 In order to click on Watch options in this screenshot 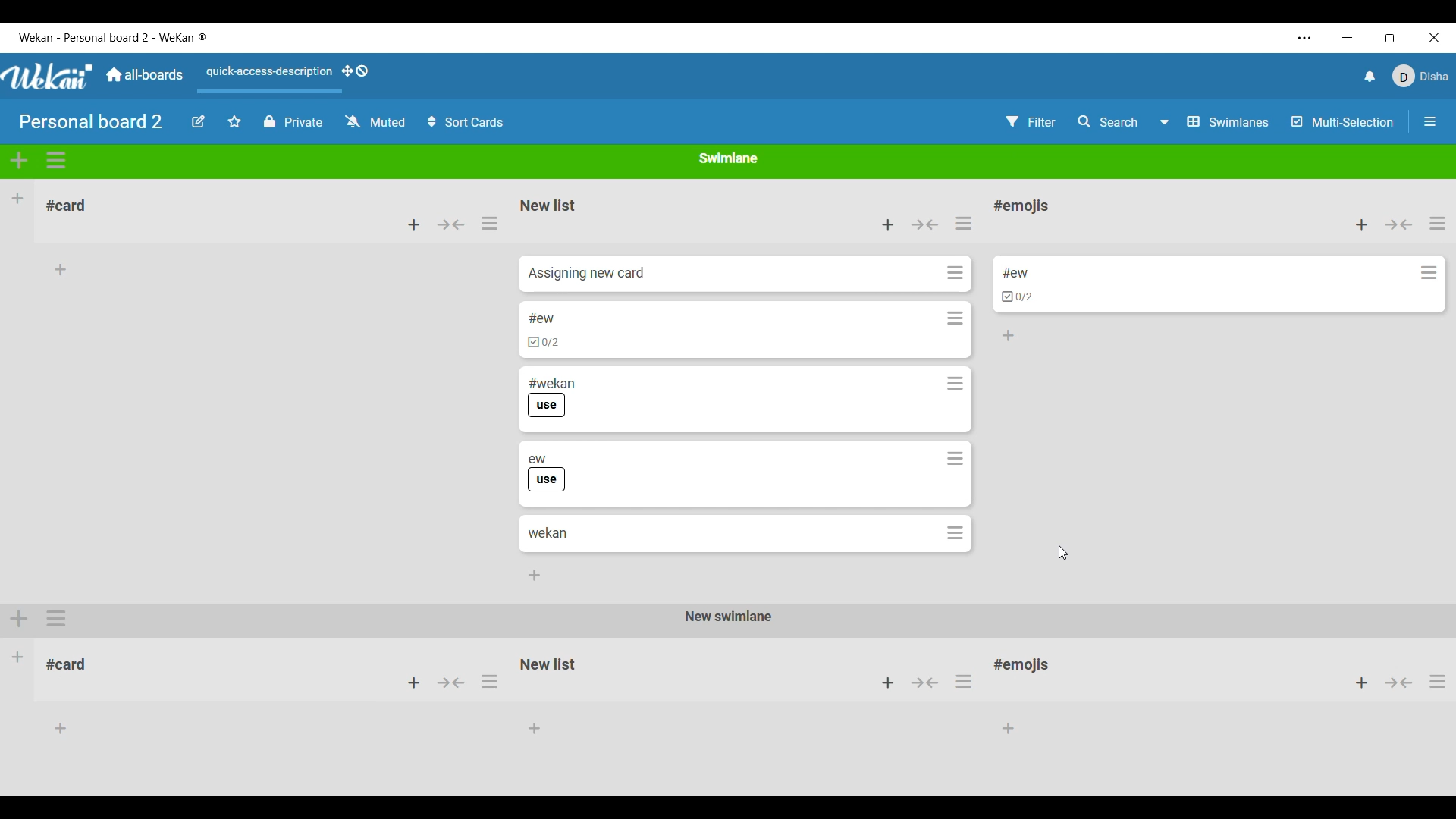, I will do `click(375, 121)`.